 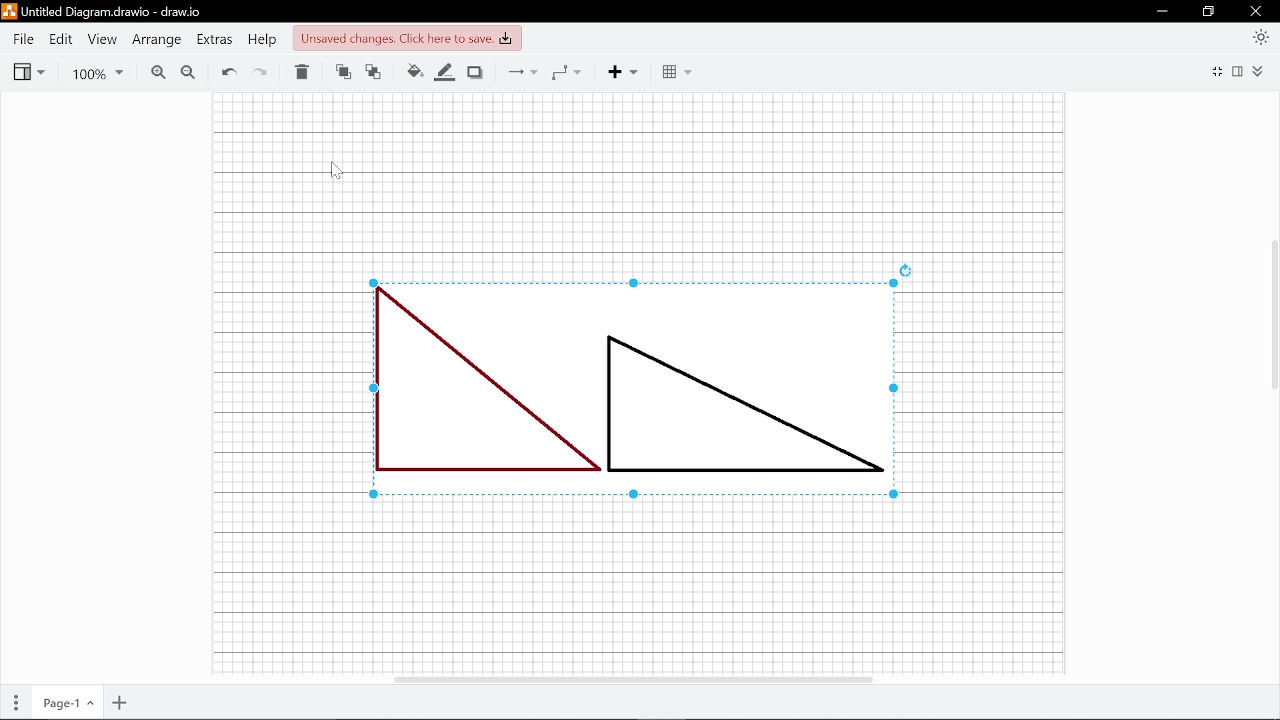 What do you see at coordinates (301, 73) in the screenshot?
I see `Delete` at bounding box center [301, 73].